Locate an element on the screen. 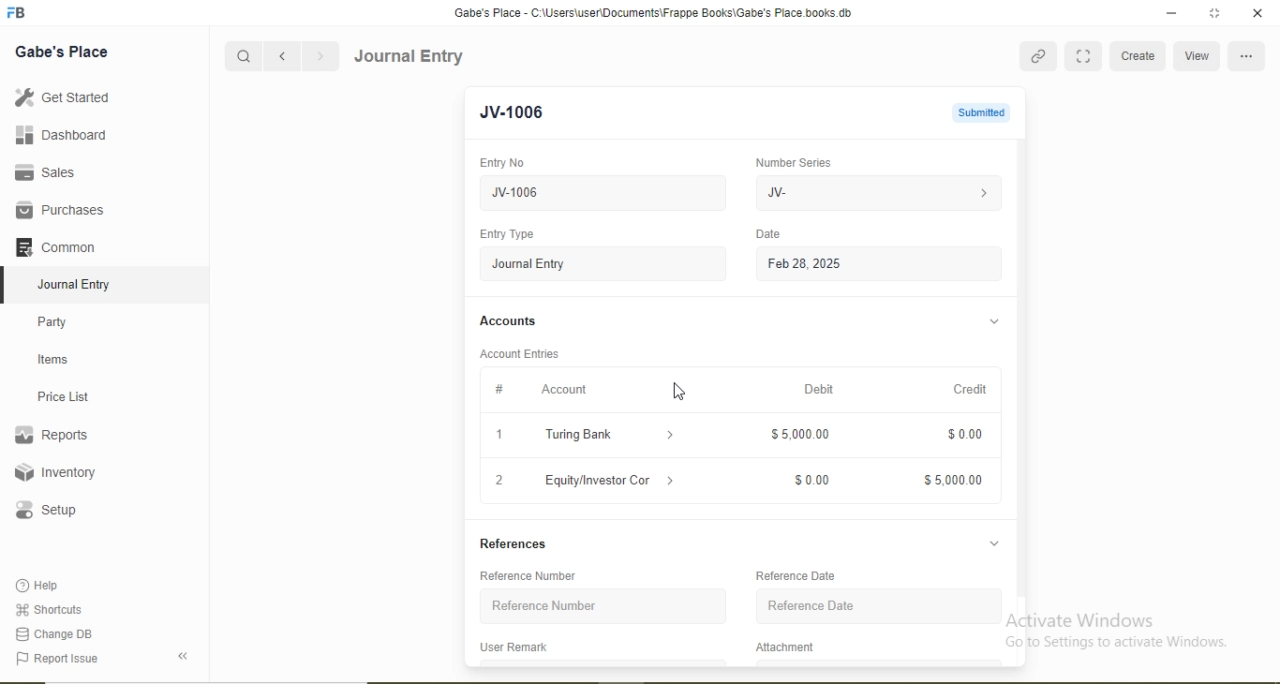 This screenshot has height=684, width=1280. full screen is located at coordinates (1215, 13).